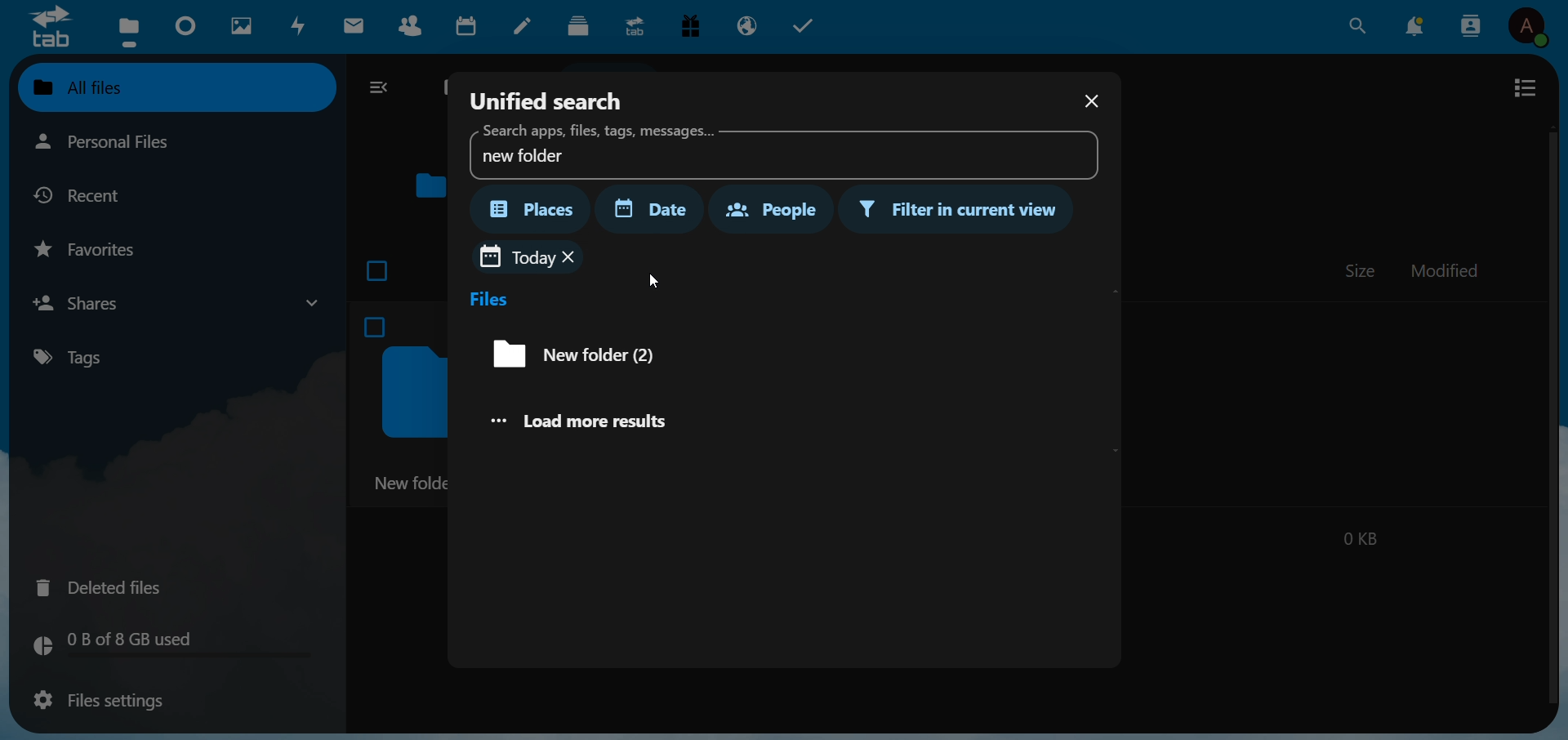 The image size is (1568, 740). Describe the element at coordinates (175, 302) in the screenshot. I see `shares` at that location.